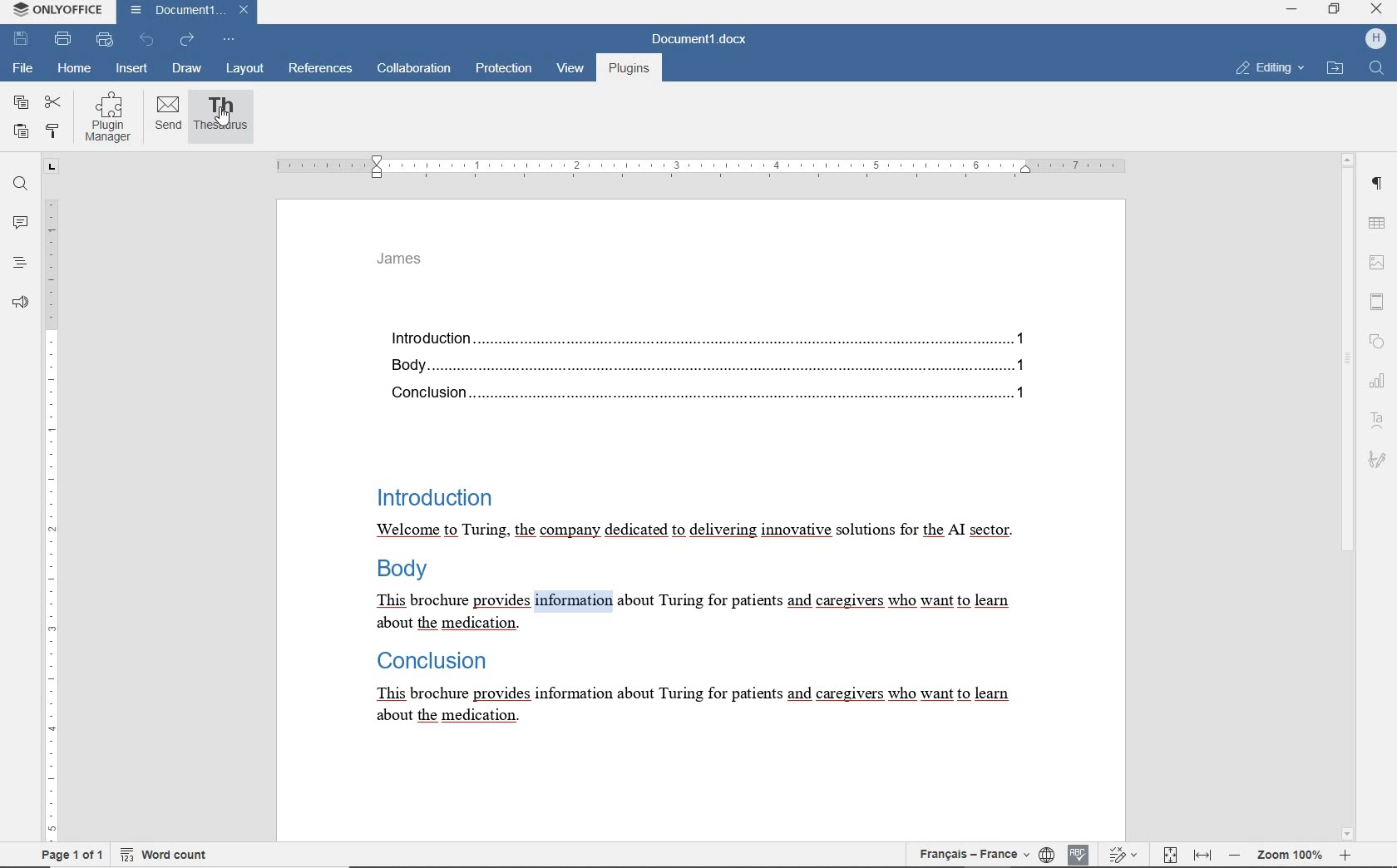 The image size is (1397, 868). I want to click on OPEN FILE LOCATION, so click(1335, 70).